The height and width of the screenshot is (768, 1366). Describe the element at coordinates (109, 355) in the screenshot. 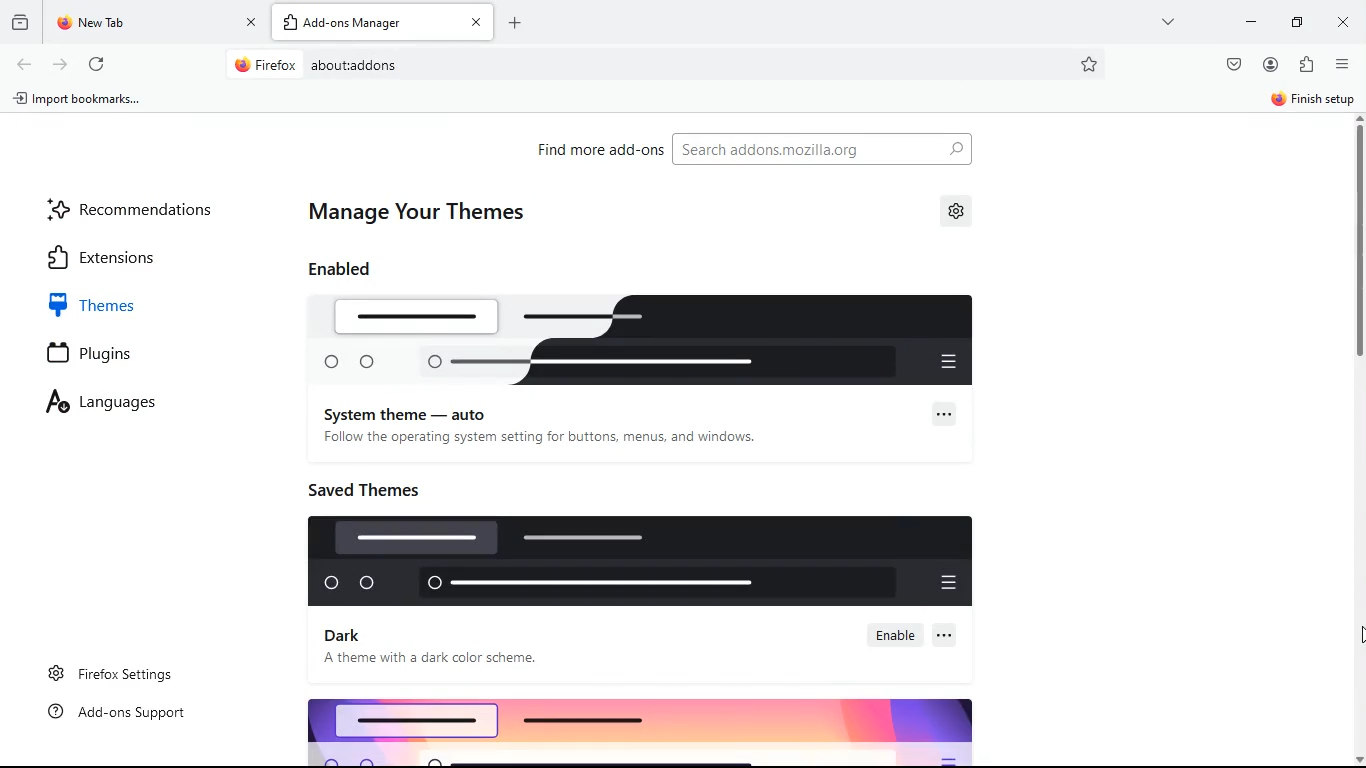

I see `plugins` at that location.